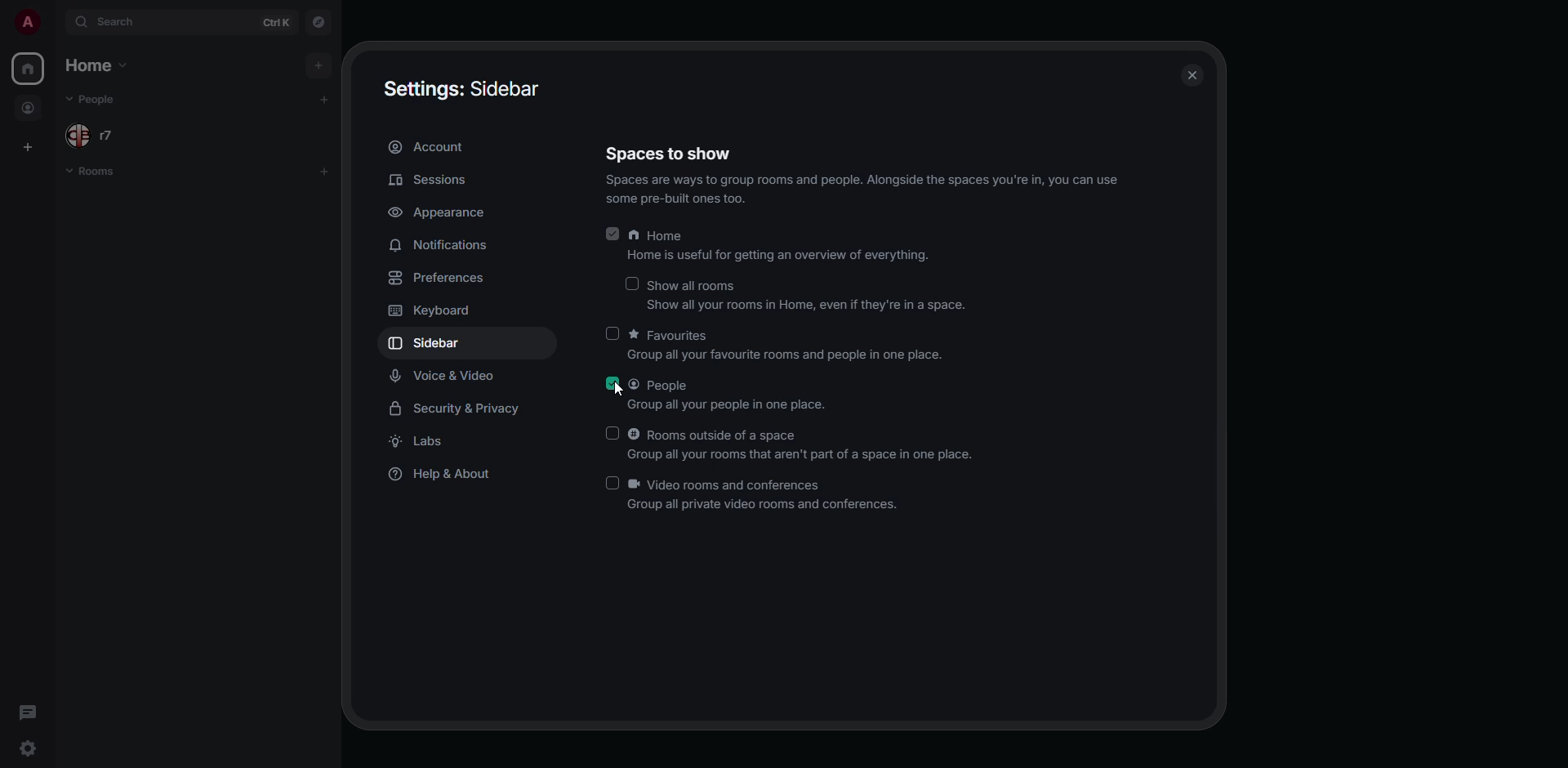  What do you see at coordinates (457, 410) in the screenshot?
I see `security & privacy` at bounding box center [457, 410].